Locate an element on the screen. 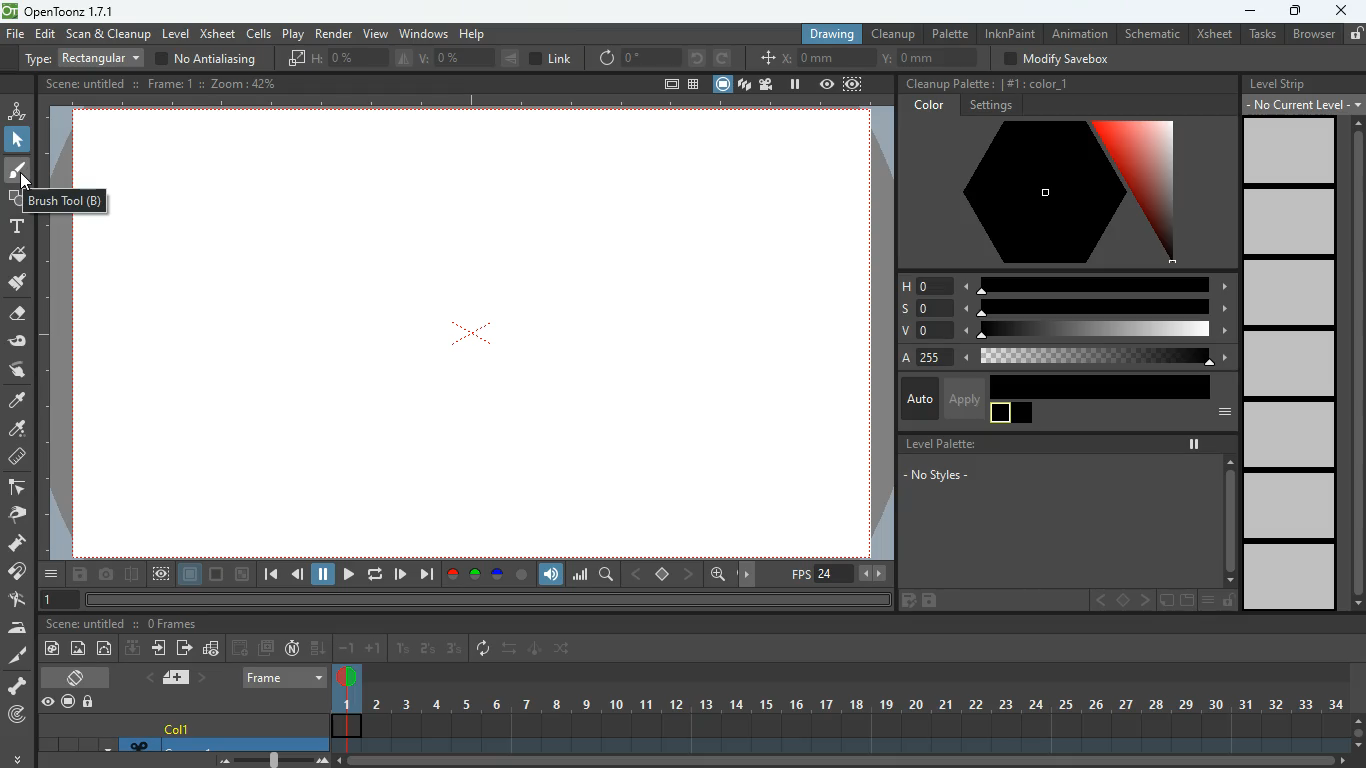 The height and width of the screenshot is (768, 1366). scroll is located at coordinates (1352, 364).